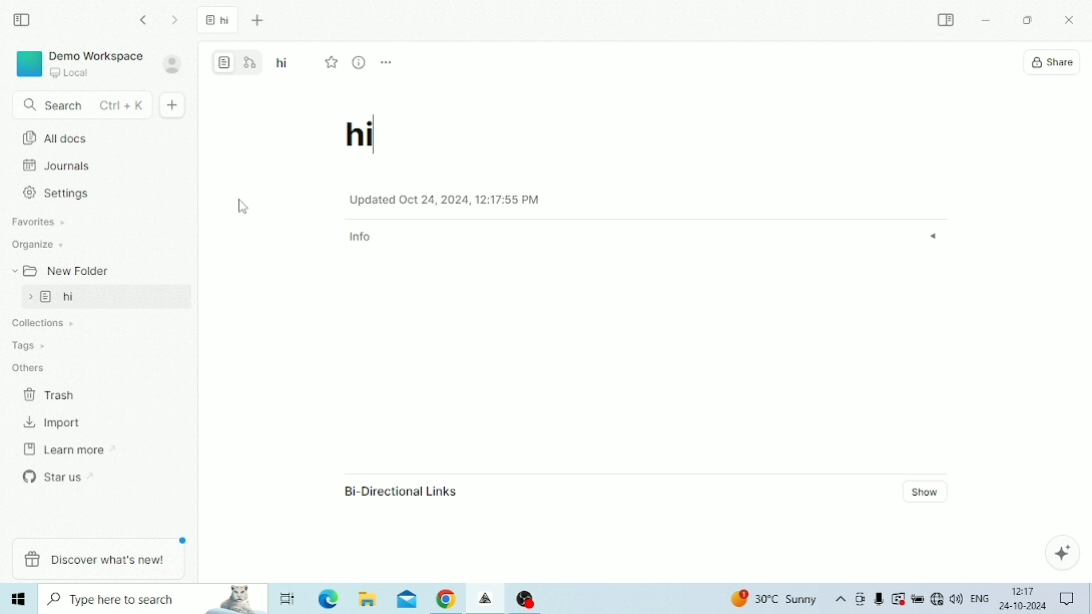  What do you see at coordinates (63, 448) in the screenshot?
I see `Learn more` at bounding box center [63, 448].